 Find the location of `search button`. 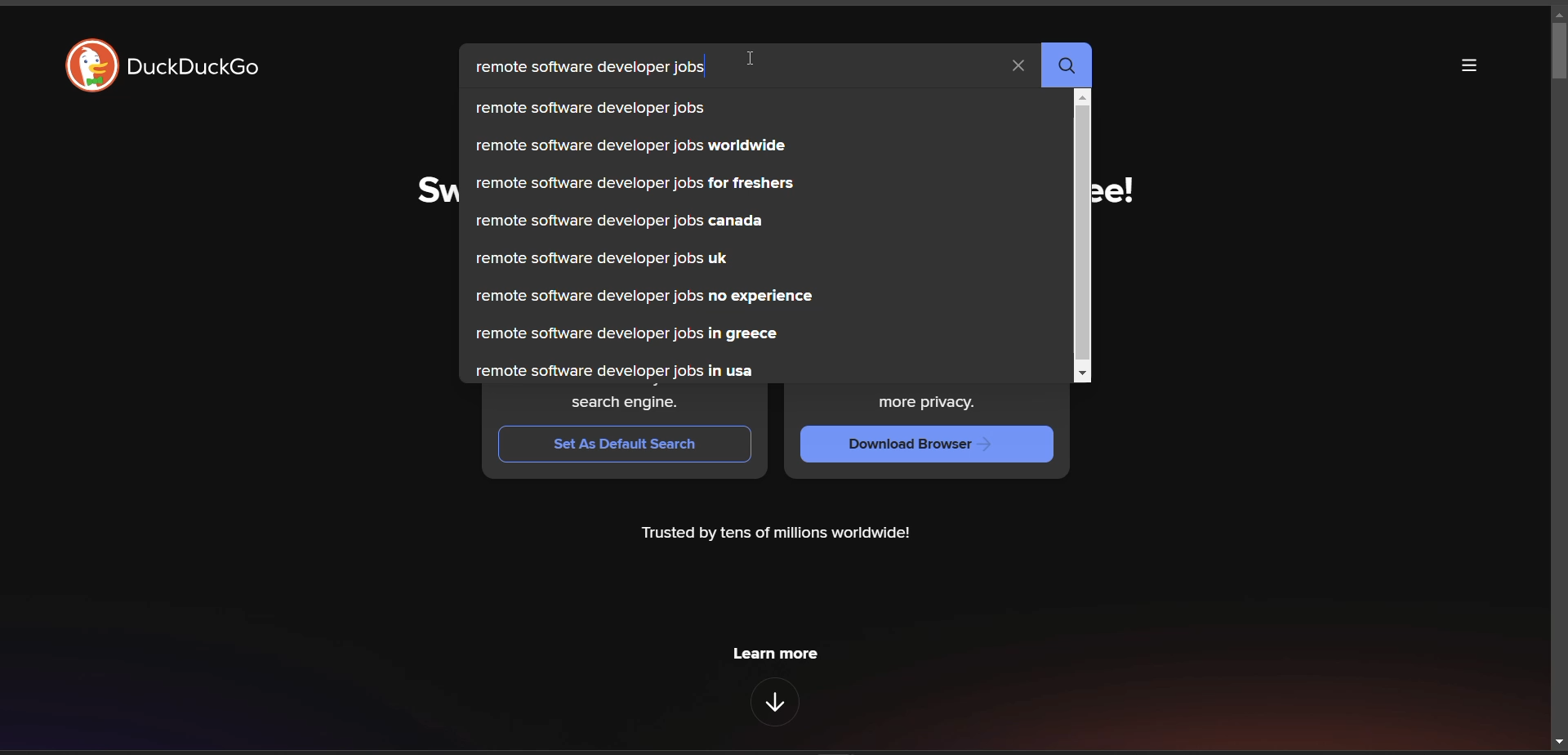

search button is located at coordinates (1067, 65).